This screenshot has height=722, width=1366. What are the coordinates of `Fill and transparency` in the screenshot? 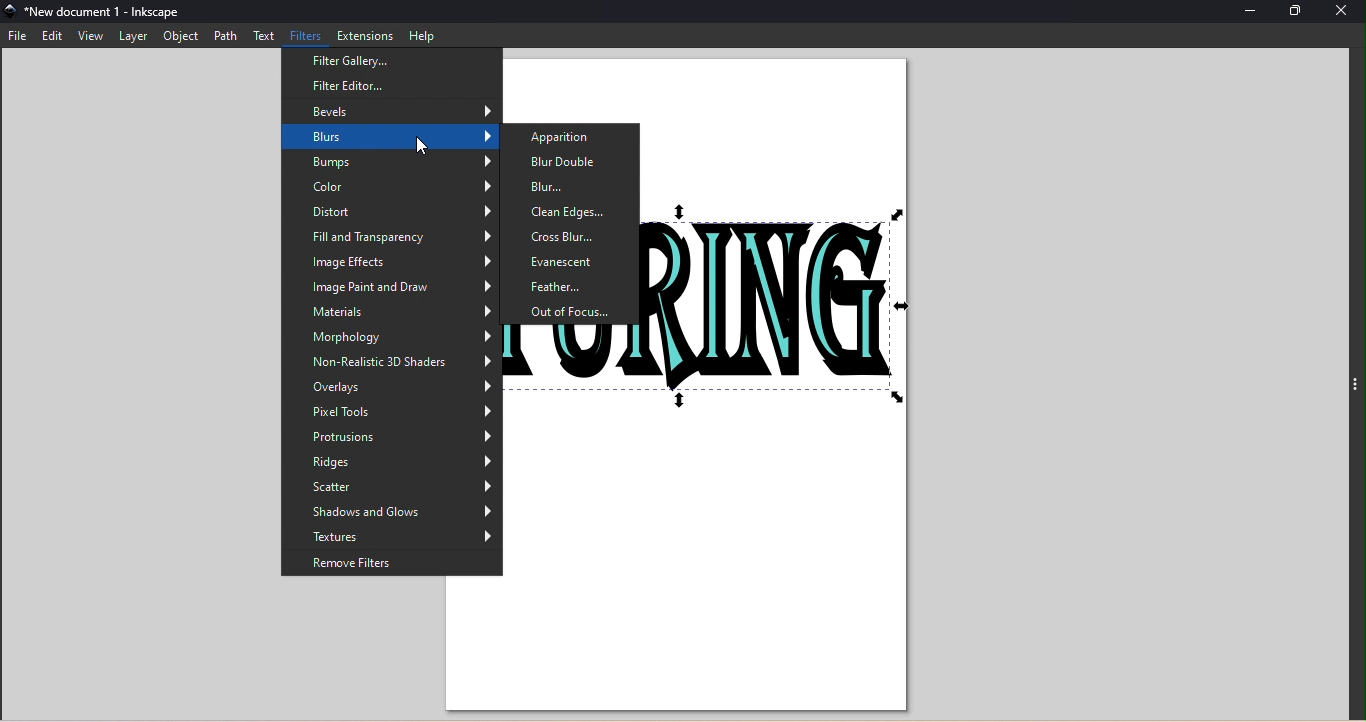 It's located at (392, 239).